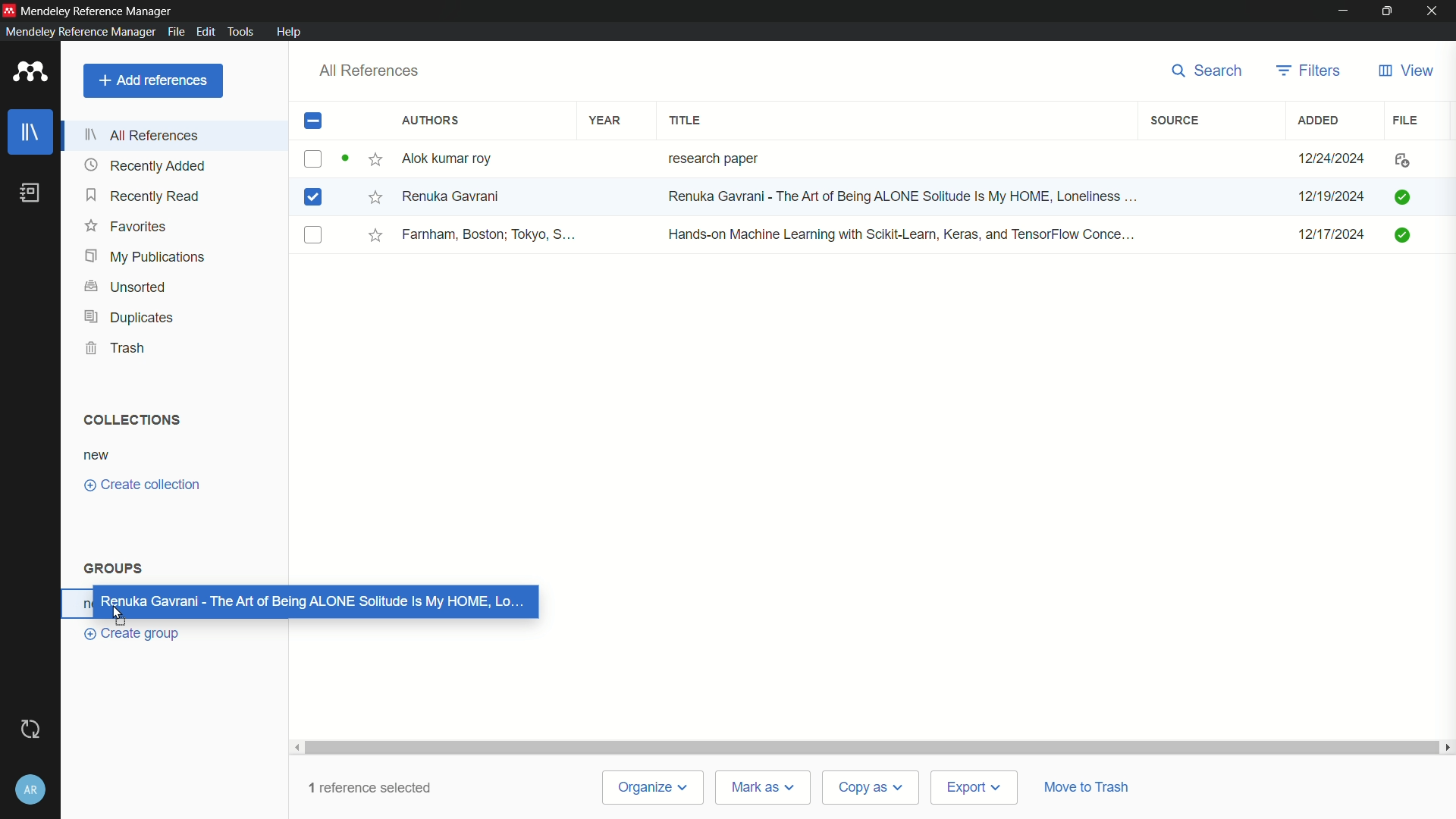 This screenshot has width=1456, height=819. What do you see at coordinates (687, 121) in the screenshot?
I see `title` at bounding box center [687, 121].